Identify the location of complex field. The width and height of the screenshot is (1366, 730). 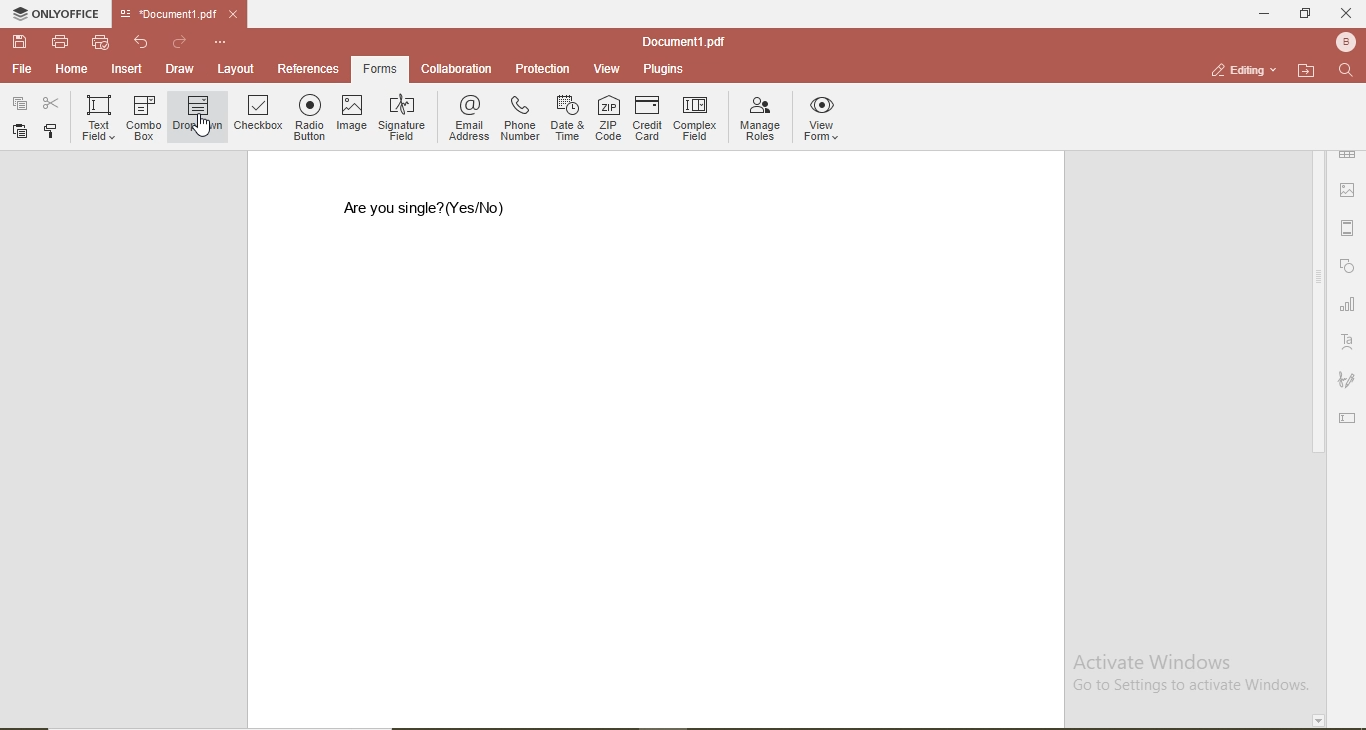
(695, 120).